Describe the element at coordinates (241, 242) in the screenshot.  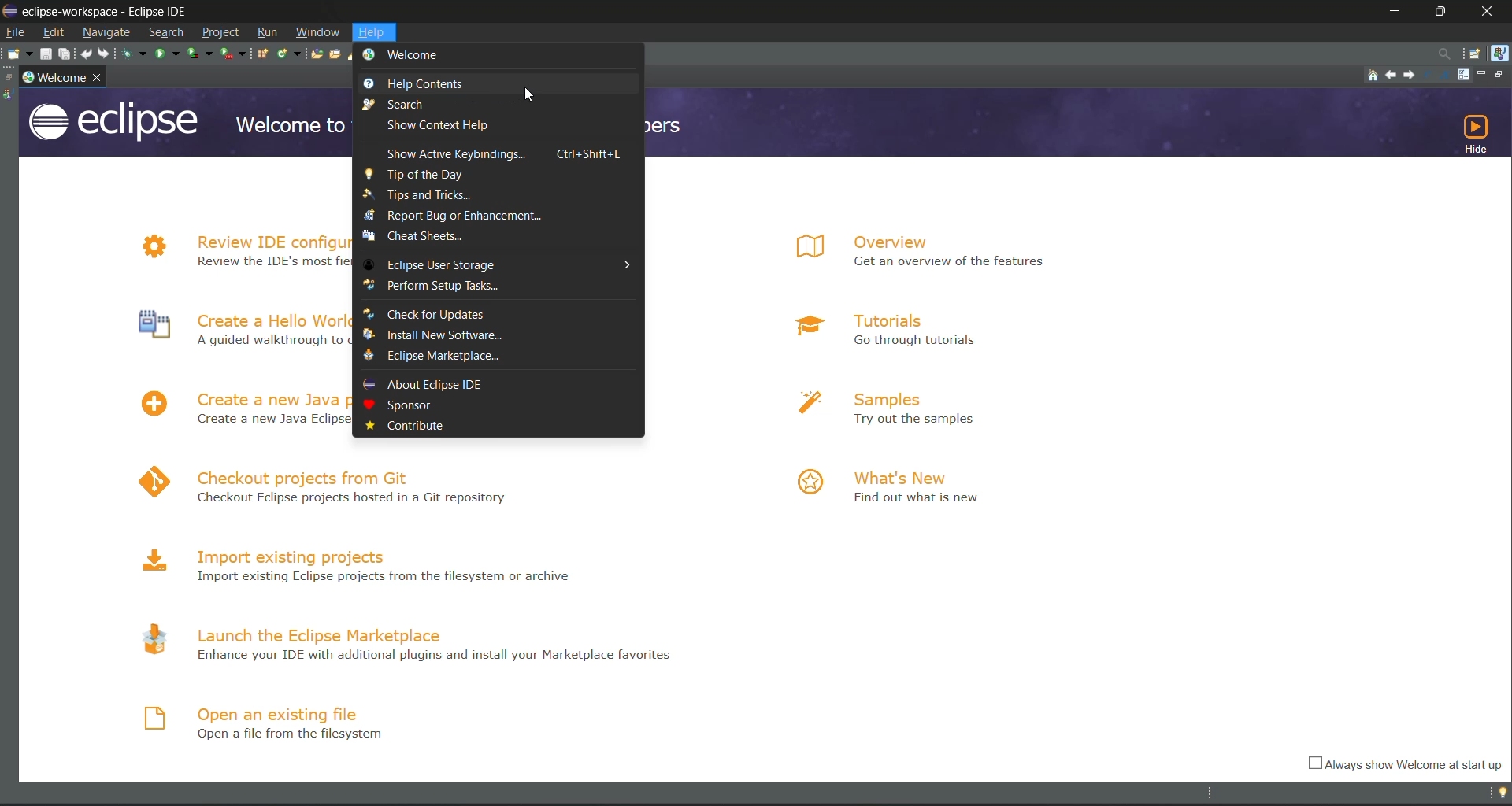
I see `review IDE configuration settings` at that location.